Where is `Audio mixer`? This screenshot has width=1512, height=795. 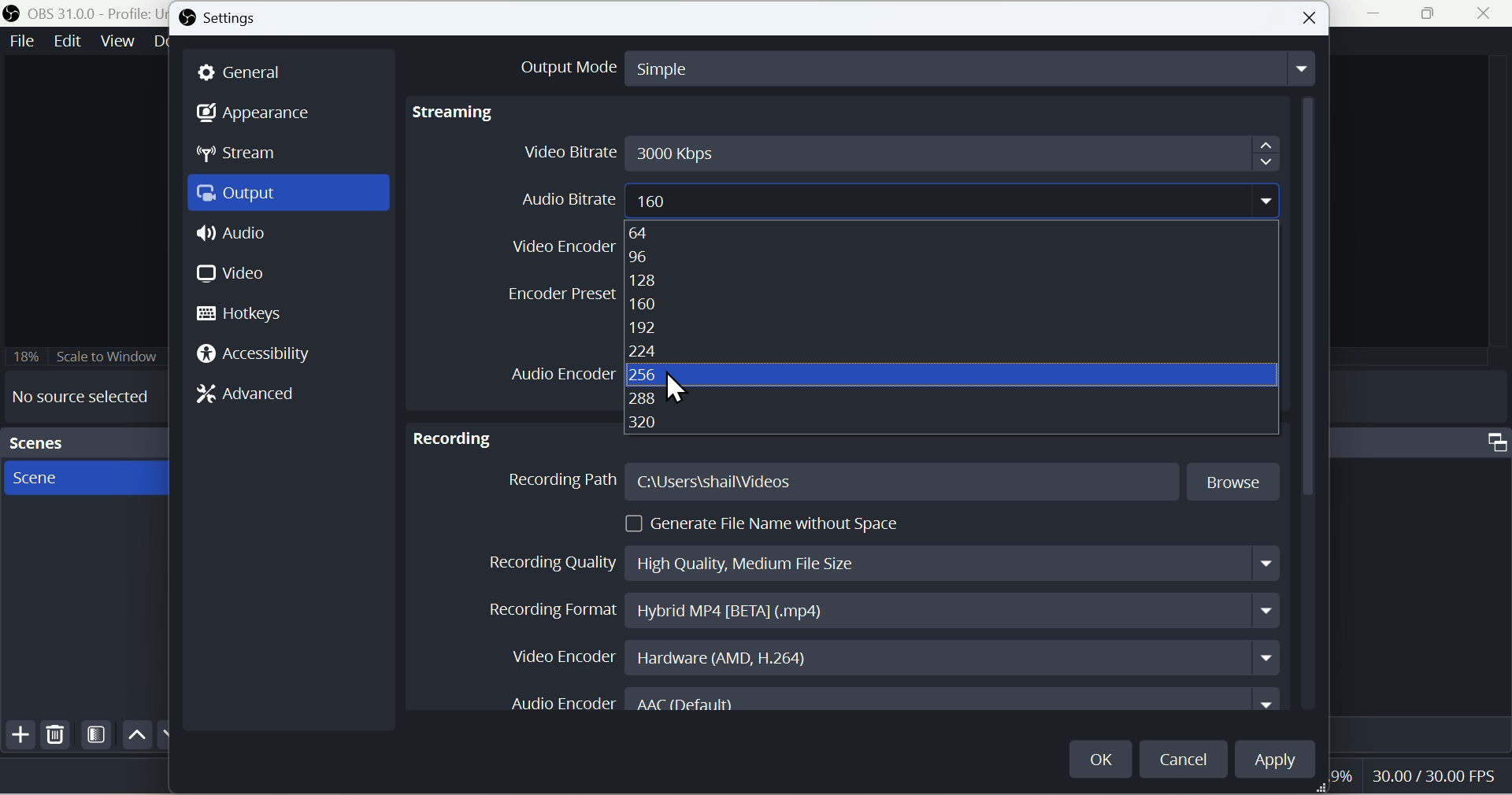 Audio mixer is located at coordinates (1425, 440).